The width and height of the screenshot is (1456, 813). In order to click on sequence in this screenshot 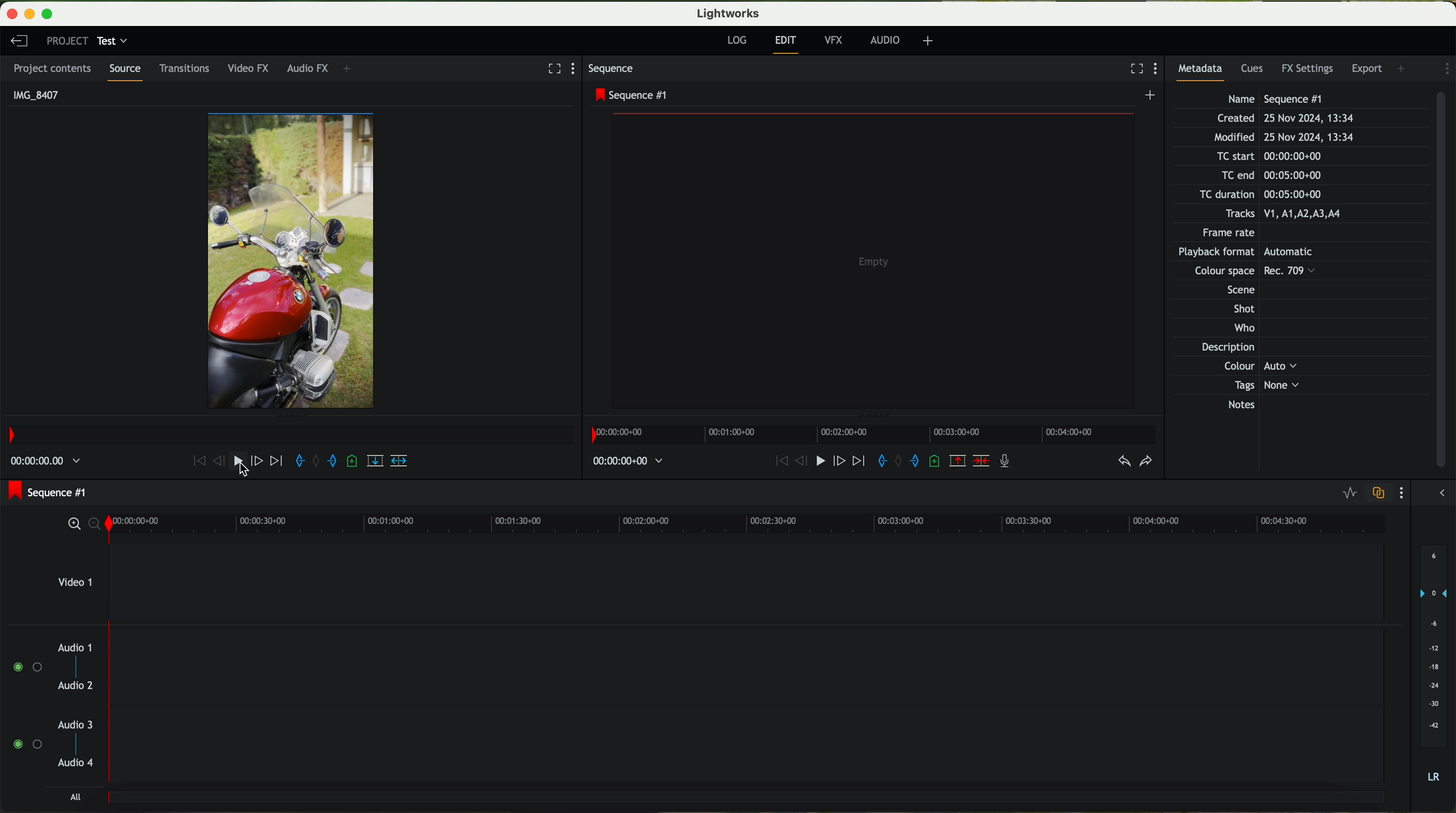, I will do `click(615, 70)`.